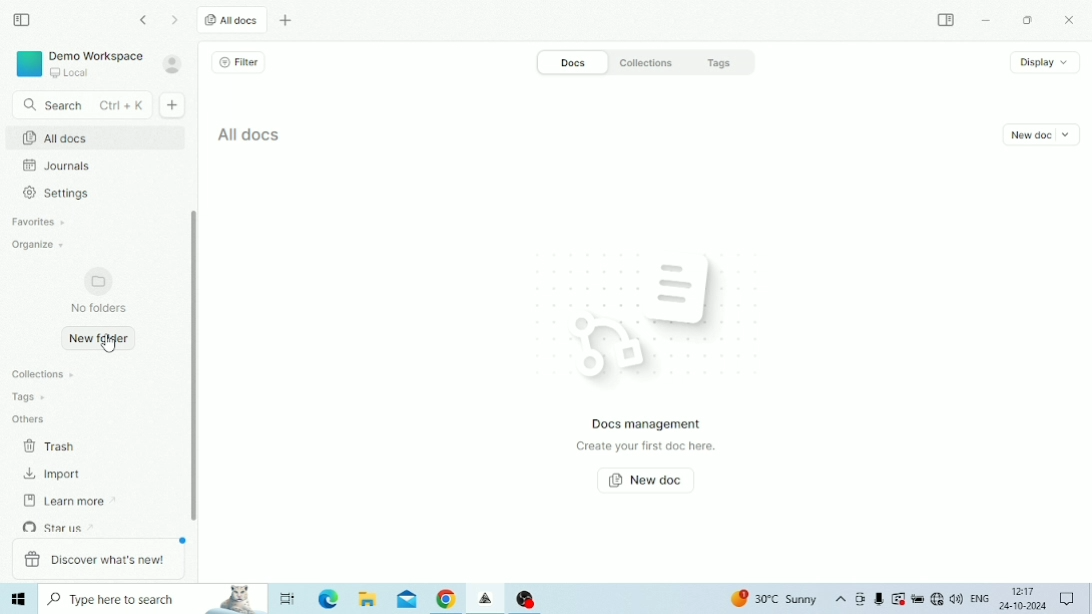 This screenshot has height=614, width=1092. I want to click on Mic, so click(878, 600).